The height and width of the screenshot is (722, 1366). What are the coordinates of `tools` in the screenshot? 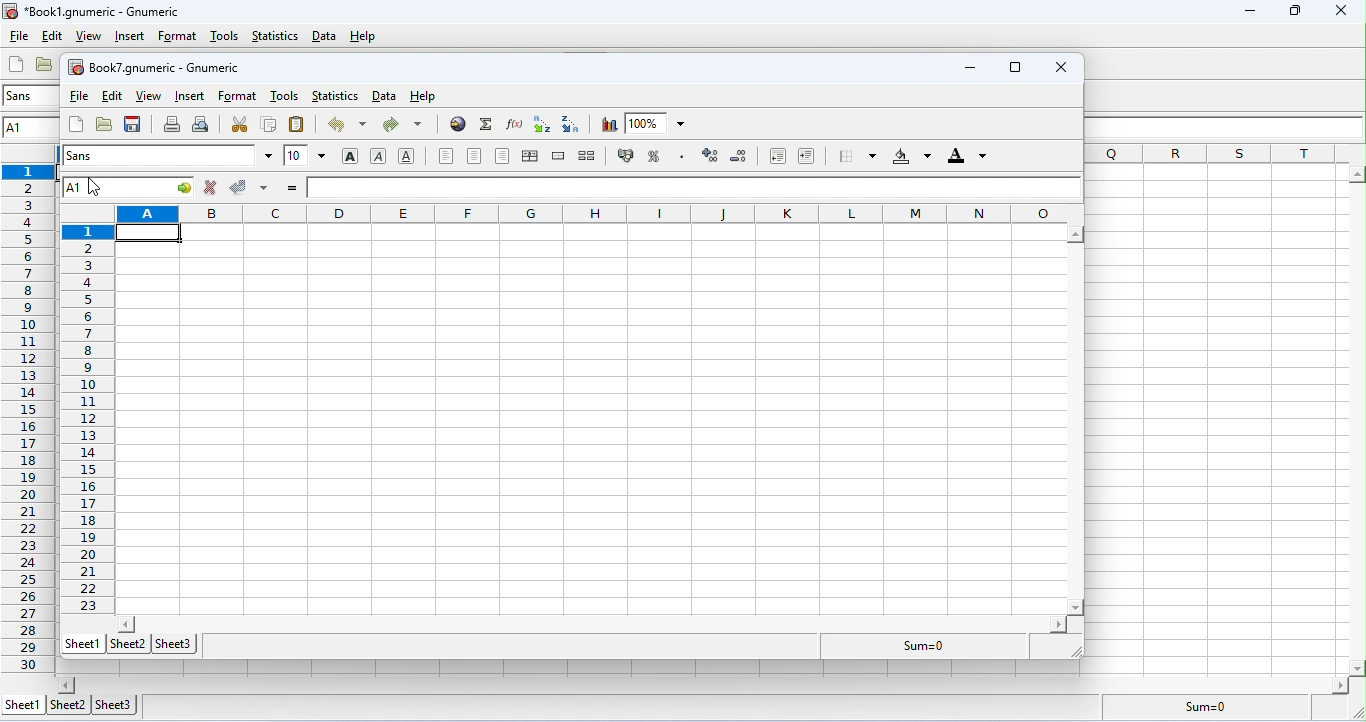 It's located at (226, 37).